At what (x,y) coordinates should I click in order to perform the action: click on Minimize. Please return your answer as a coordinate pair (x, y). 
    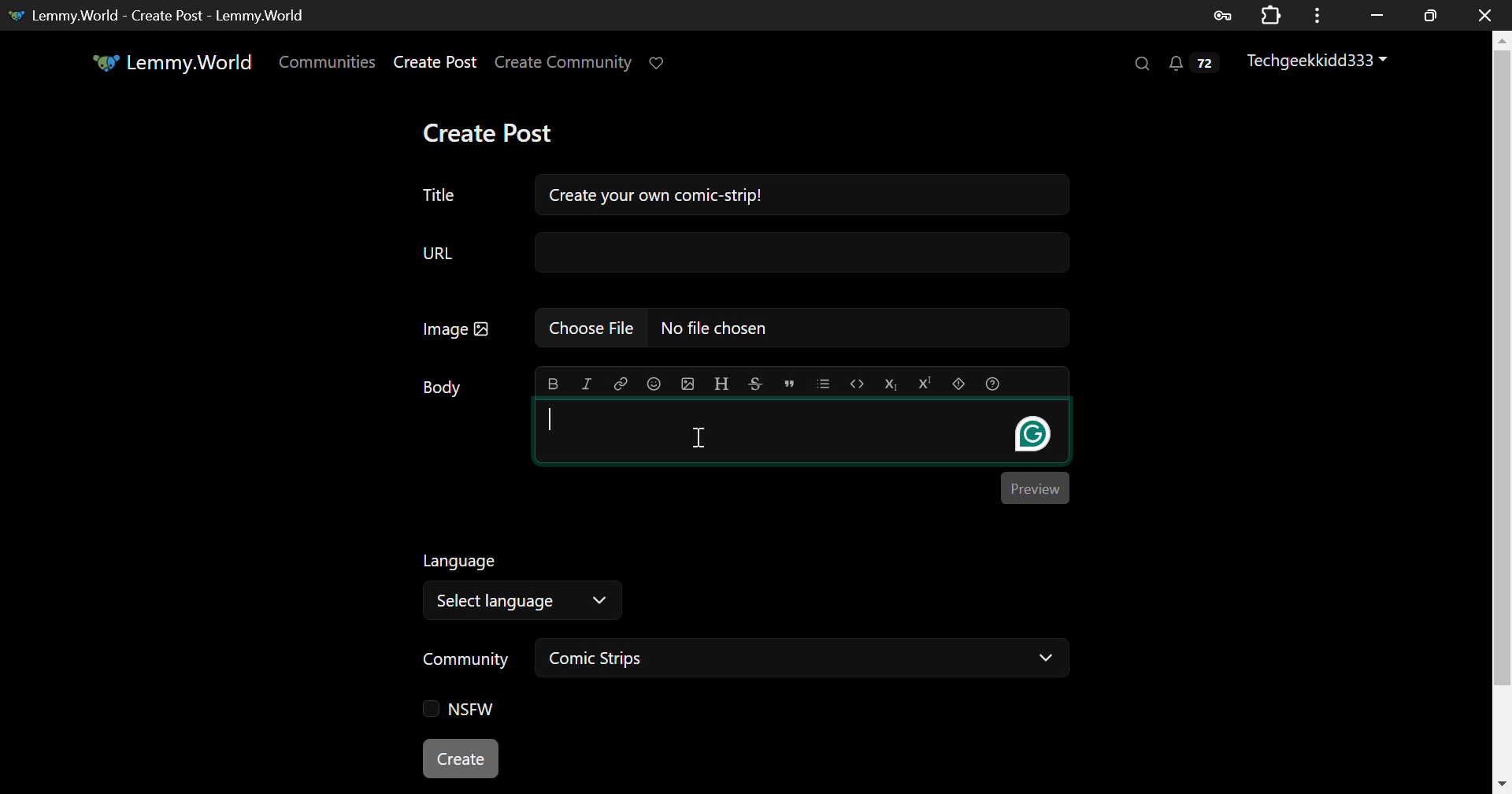
    Looking at the image, I should click on (1433, 15).